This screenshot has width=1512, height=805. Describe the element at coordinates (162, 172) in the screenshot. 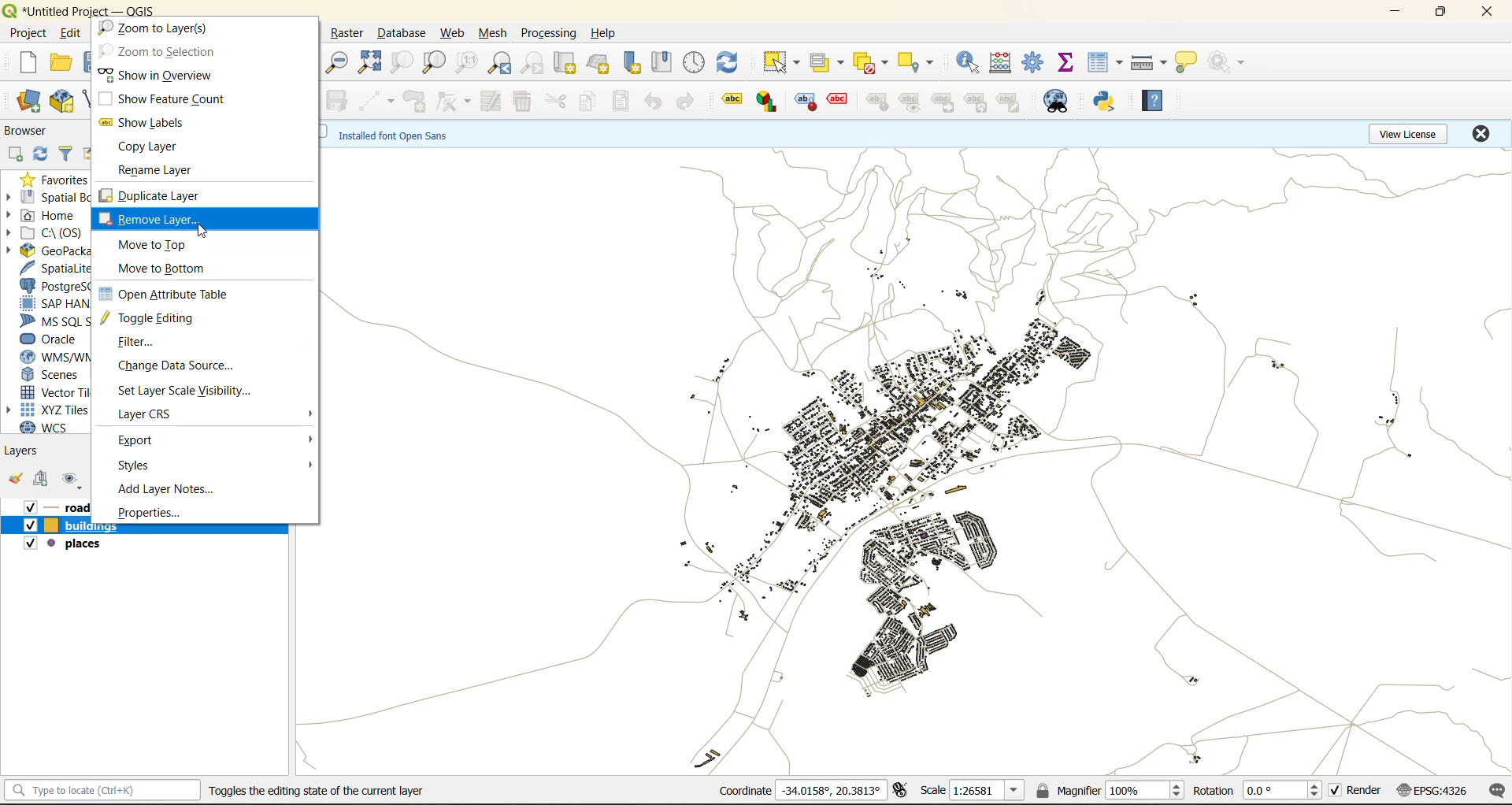

I see `rename layer` at that location.